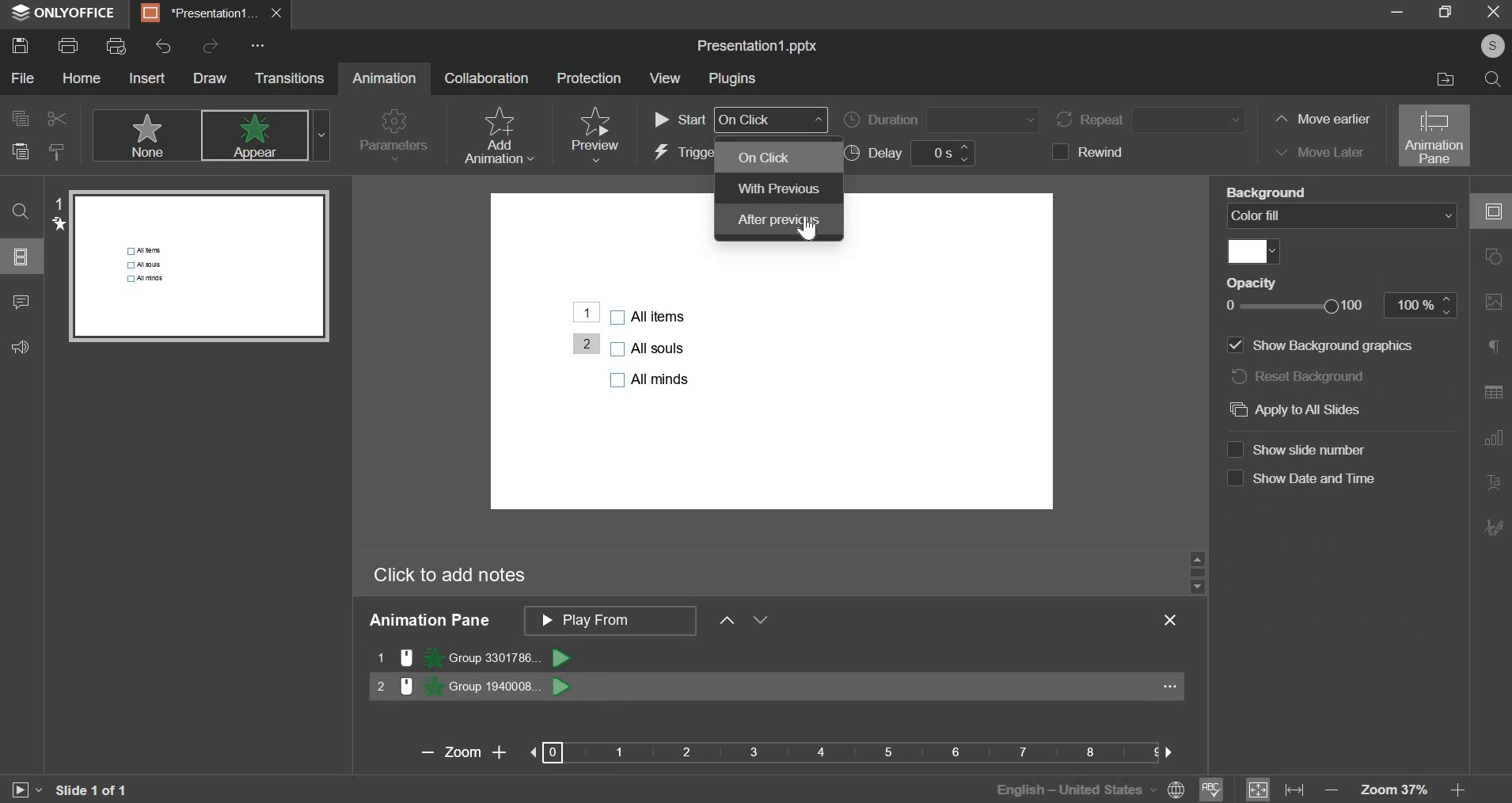 This screenshot has width=1512, height=803. Describe the element at coordinates (19, 45) in the screenshot. I see `save` at that location.